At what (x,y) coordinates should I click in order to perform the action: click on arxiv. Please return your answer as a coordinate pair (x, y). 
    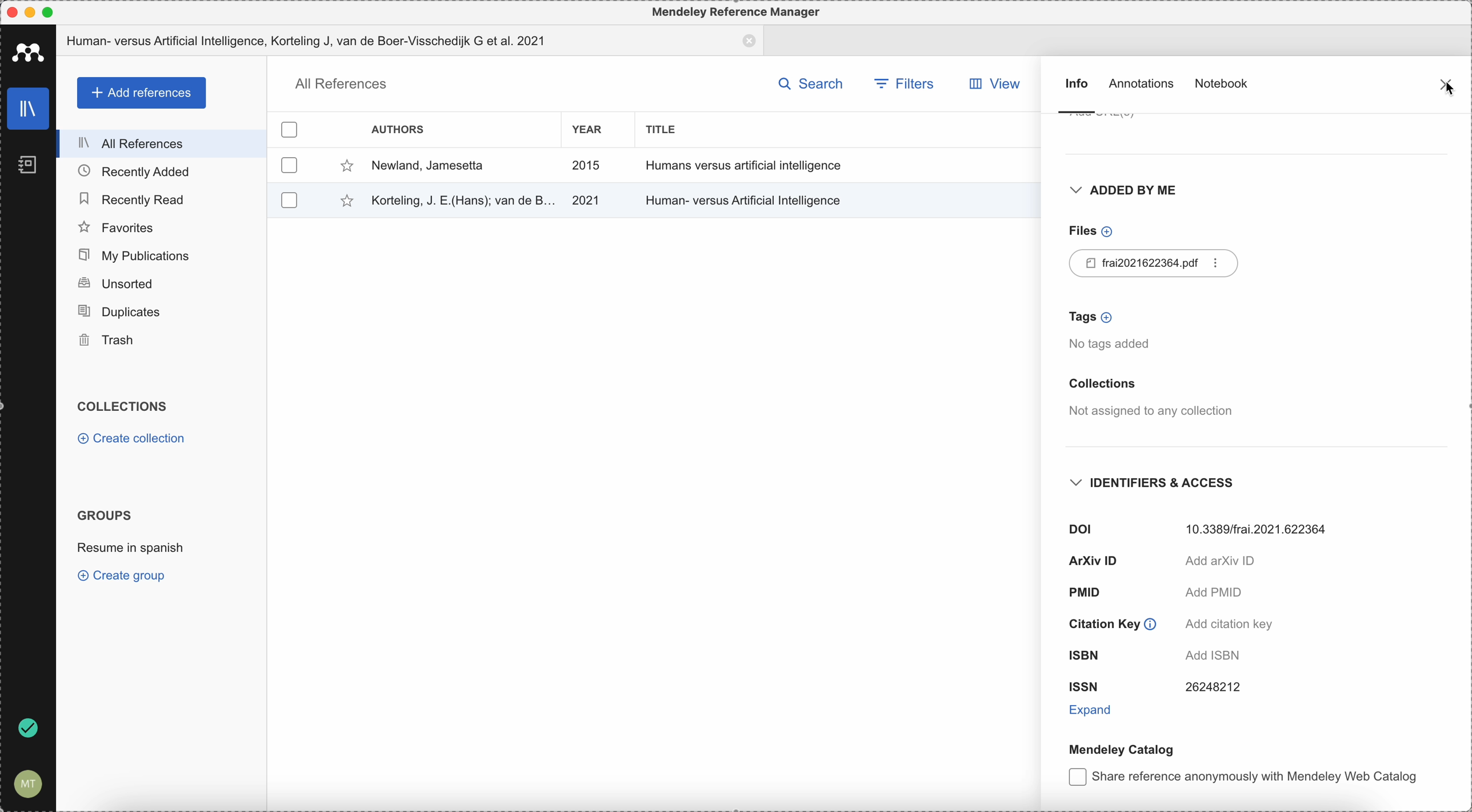
    Looking at the image, I should click on (1163, 562).